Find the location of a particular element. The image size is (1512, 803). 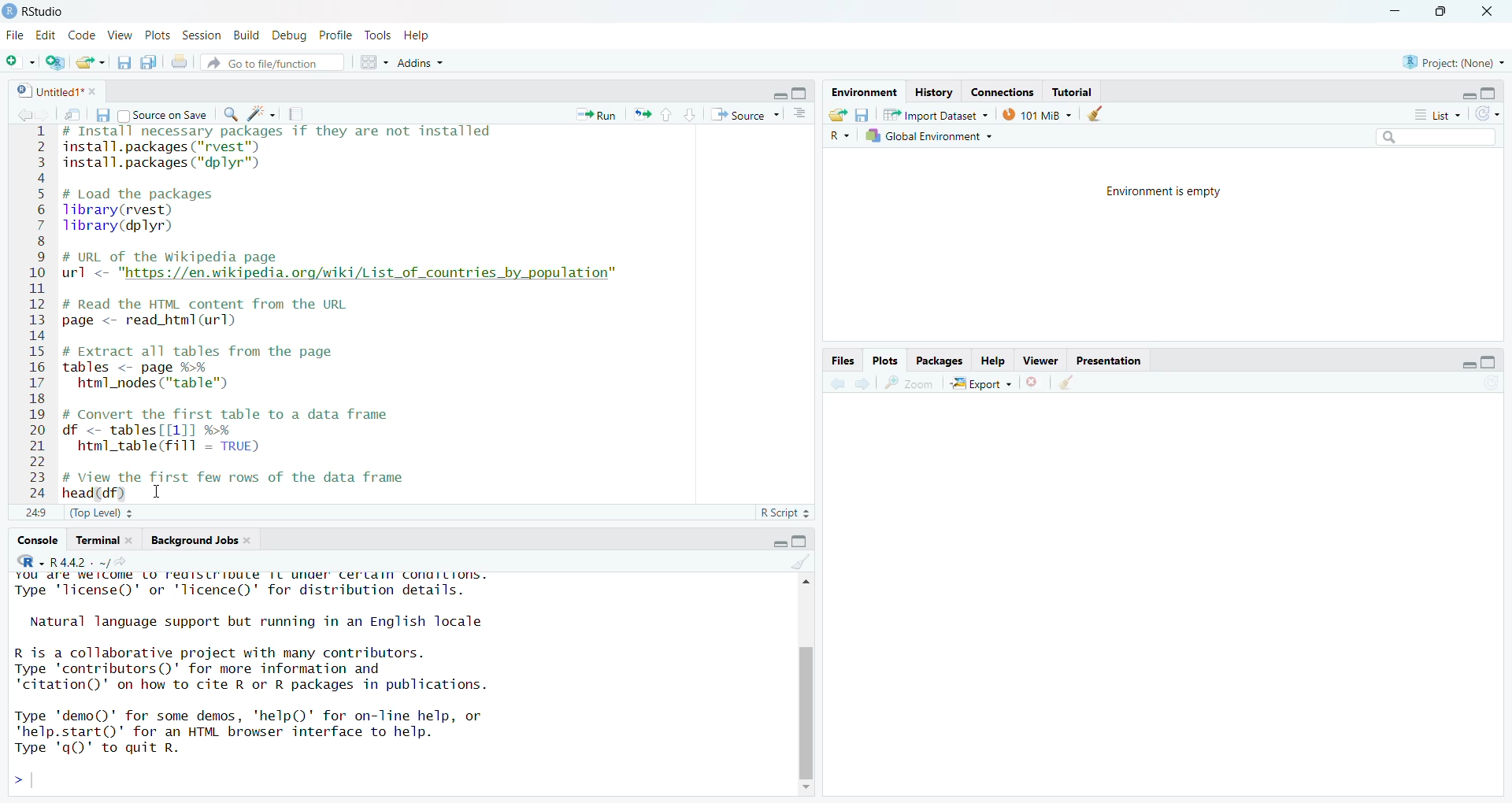

Zoom is located at coordinates (910, 383).